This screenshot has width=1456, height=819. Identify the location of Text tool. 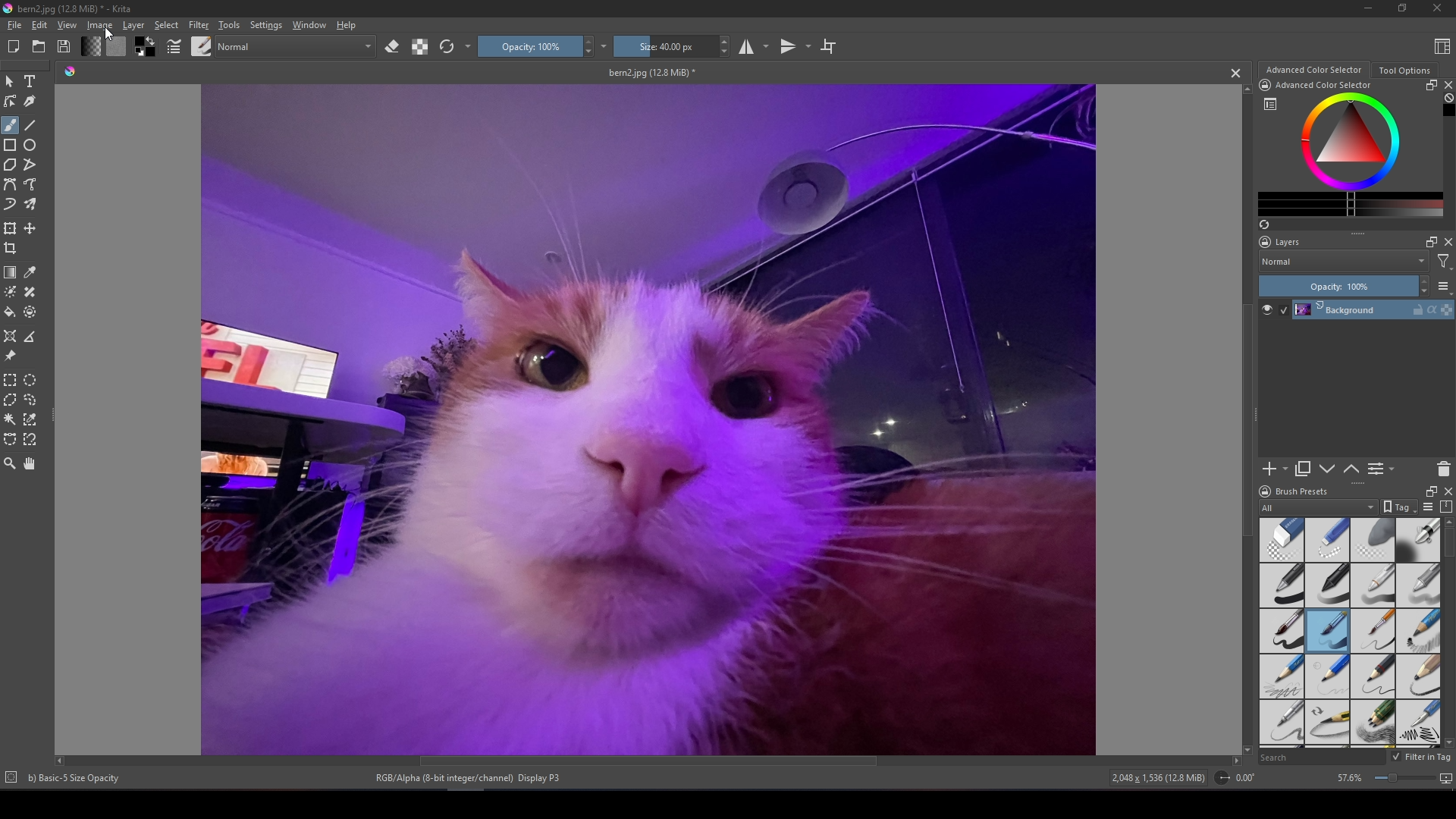
(30, 82).